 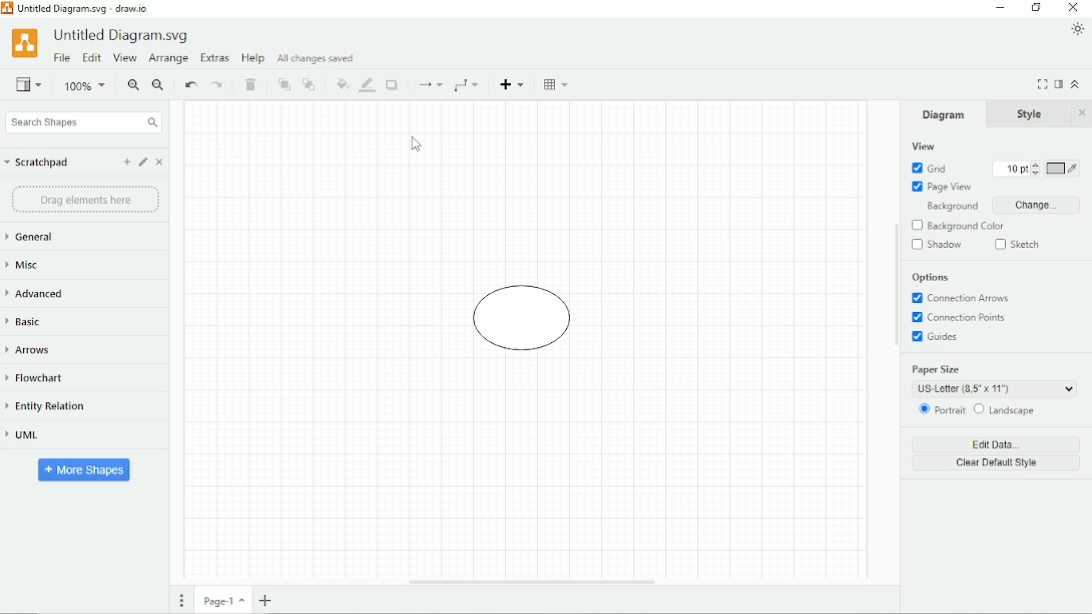 What do you see at coordinates (1017, 169) in the screenshot?
I see `Grid size` at bounding box center [1017, 169].